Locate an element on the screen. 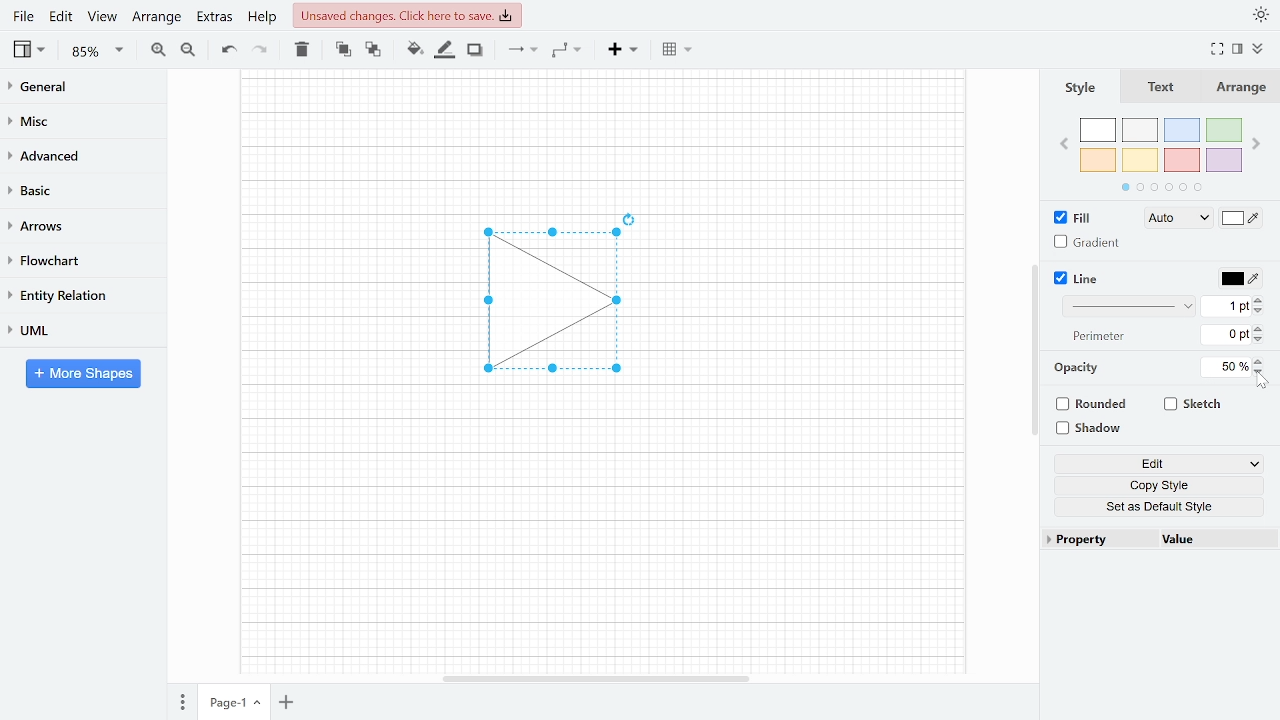 Image resolution: width=1280 pixels, height=720 pixels. Flowchart is located at coordinates (75, 261).